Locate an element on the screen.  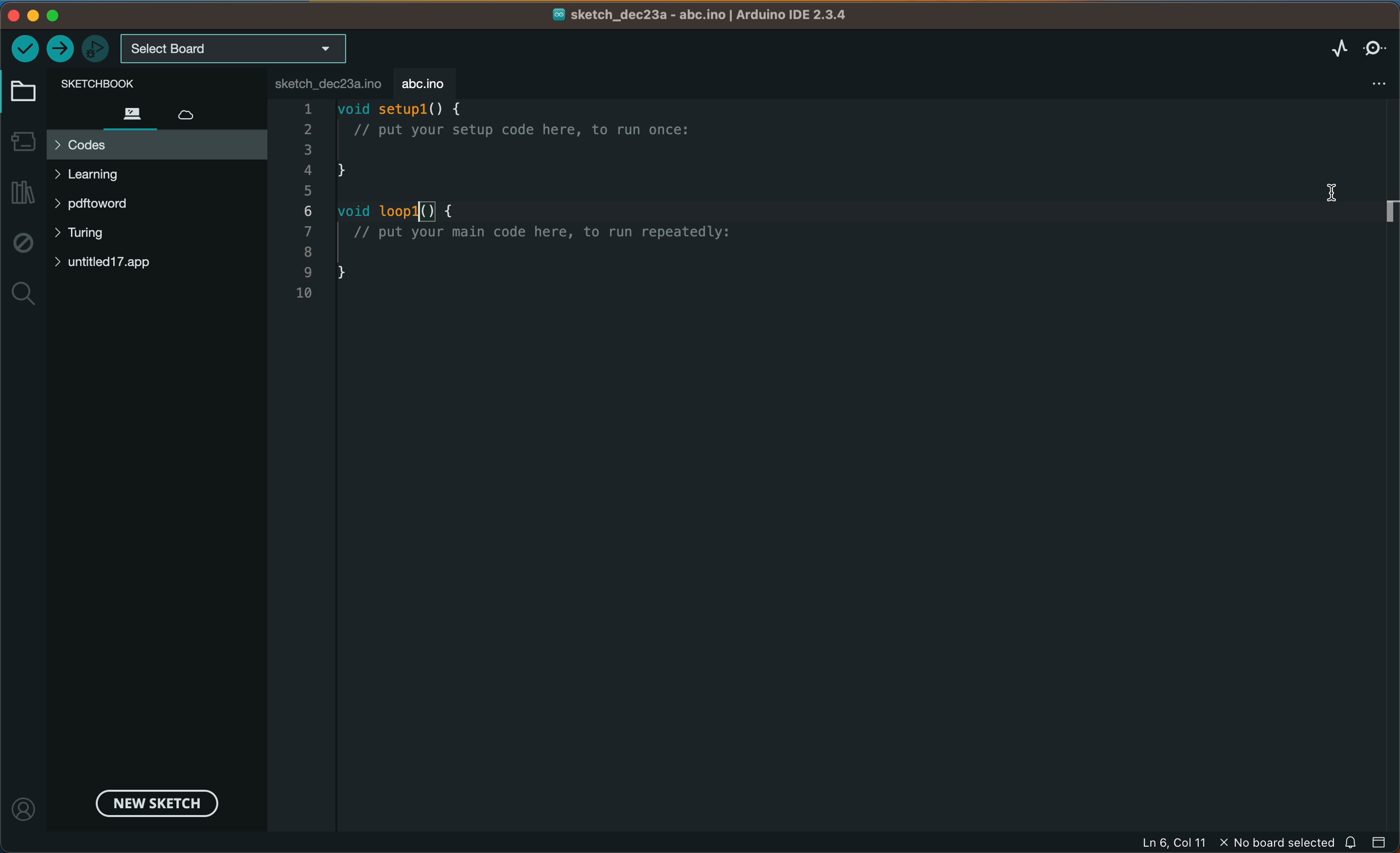
board manager is located at coordinates (21, 142).